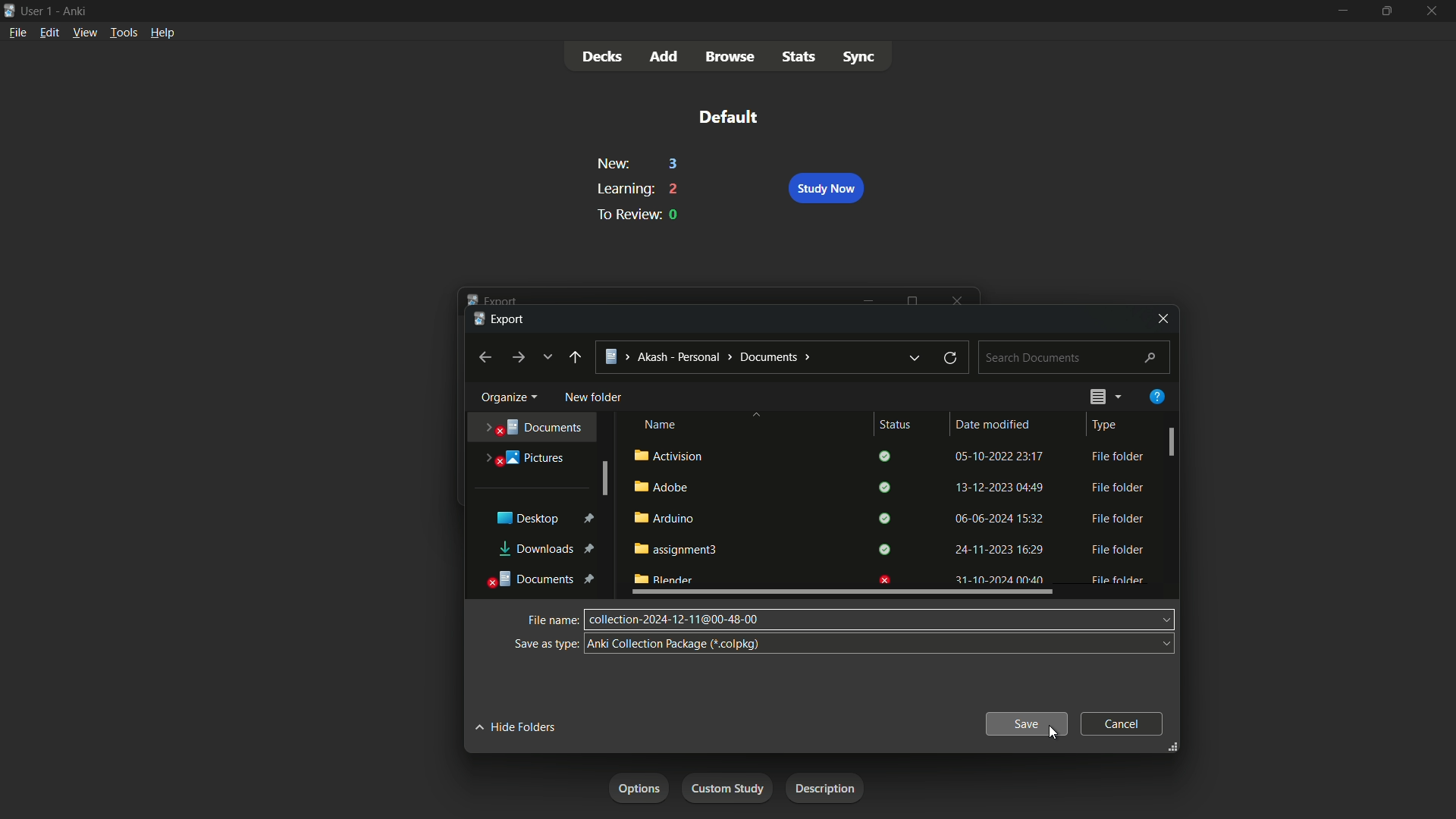 The image size is (1456, 819). What do you see at coordinates (830, 789) in the screenshot?
I see `import file` at bounding box center [830, 789].